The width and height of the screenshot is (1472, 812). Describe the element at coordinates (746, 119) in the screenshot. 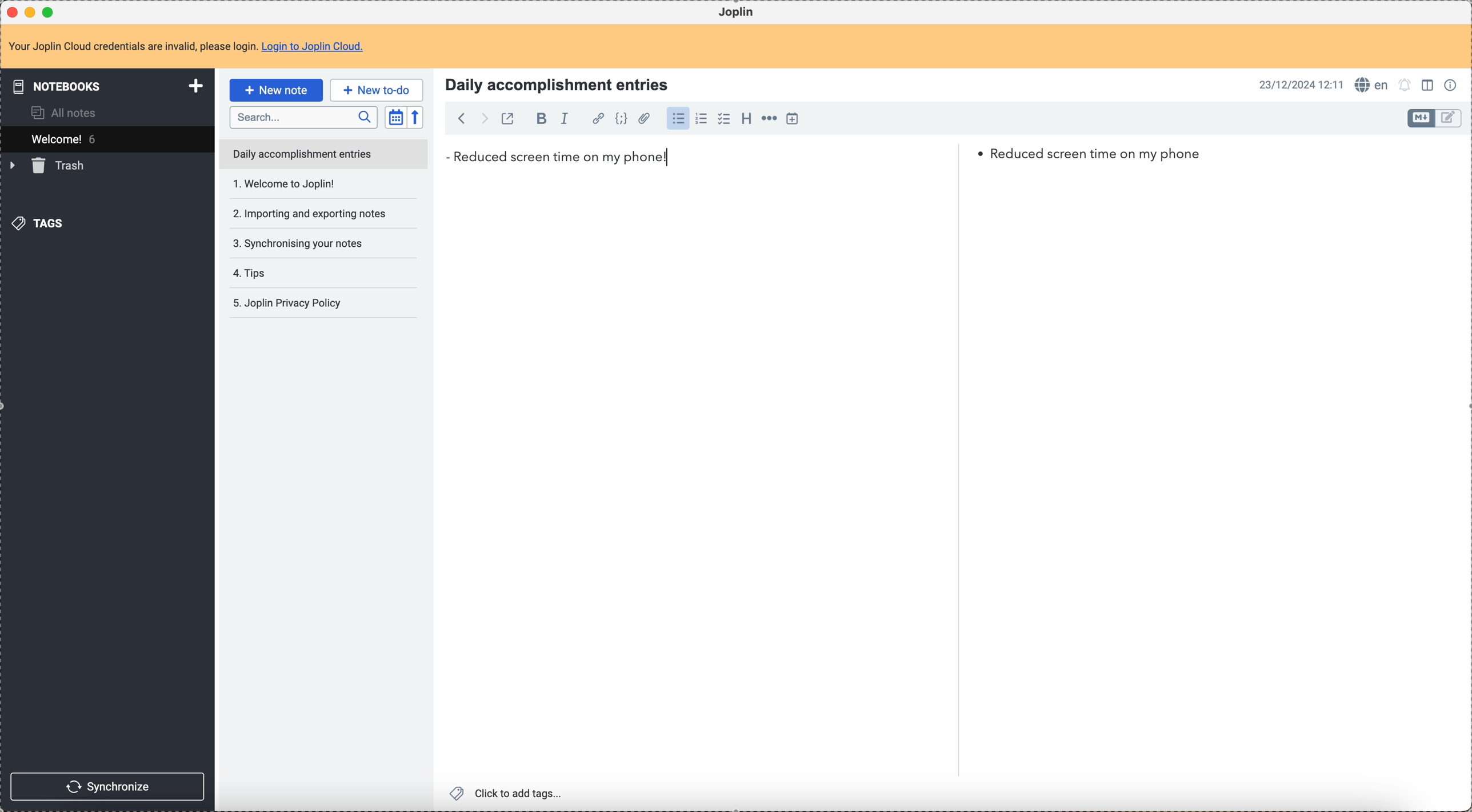

I see `heading` at that location.